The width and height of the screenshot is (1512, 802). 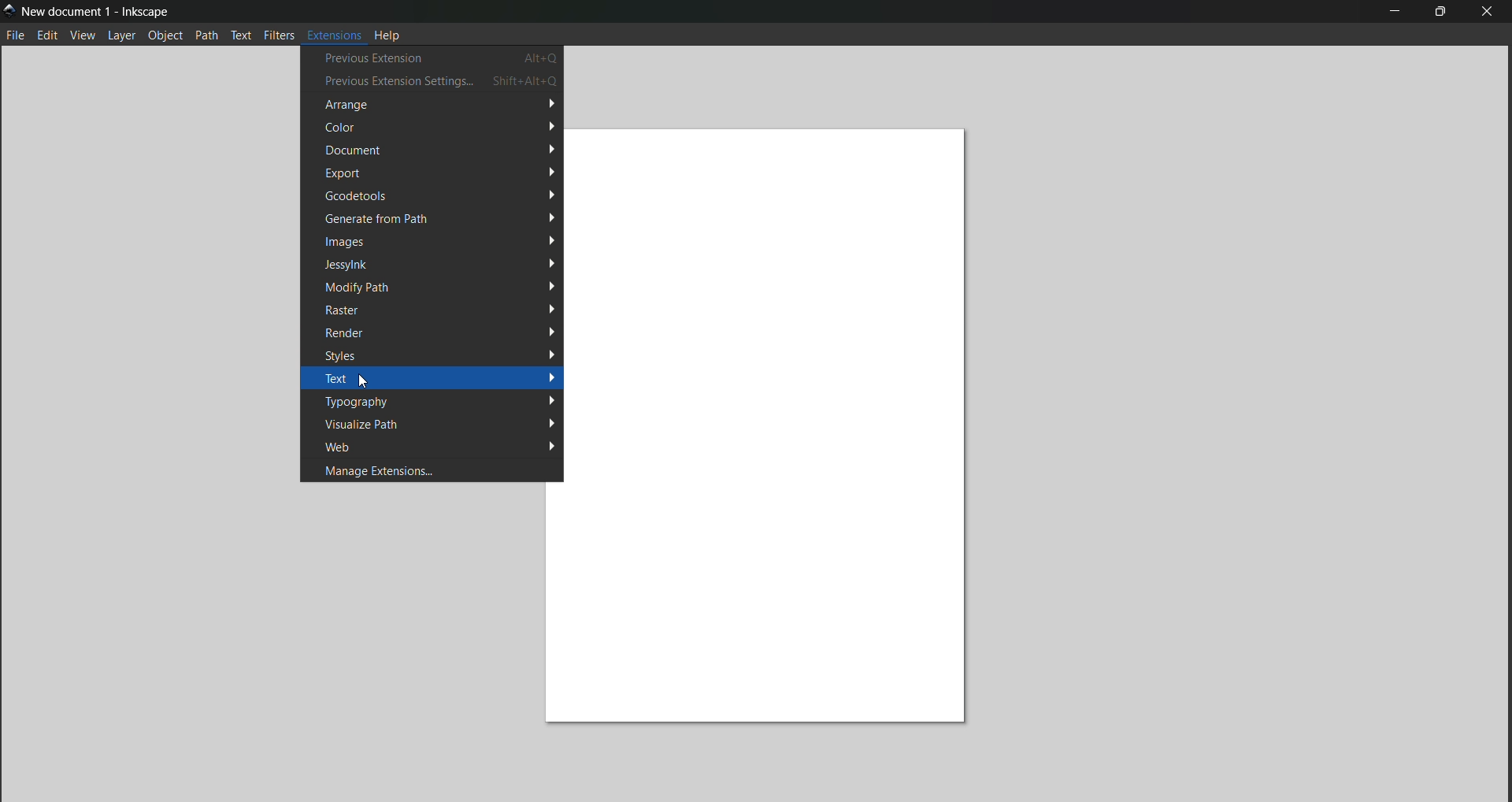 What do you see at coordinates (435, 447) in the screenshot?
I see `web` at bounding box center [435, 447].